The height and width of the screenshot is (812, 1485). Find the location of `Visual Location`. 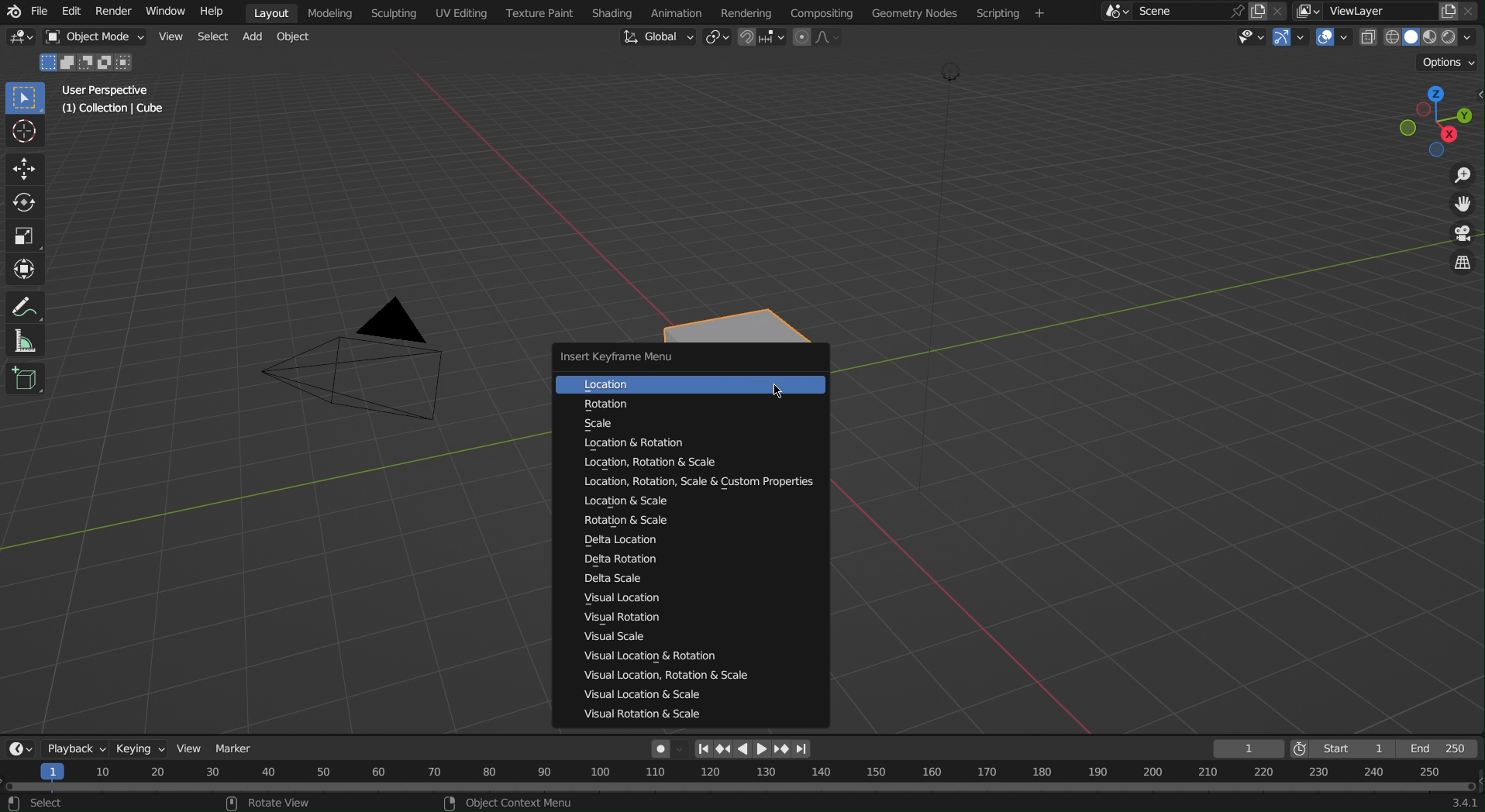

Visual Location is located at coordinates (610, 601).